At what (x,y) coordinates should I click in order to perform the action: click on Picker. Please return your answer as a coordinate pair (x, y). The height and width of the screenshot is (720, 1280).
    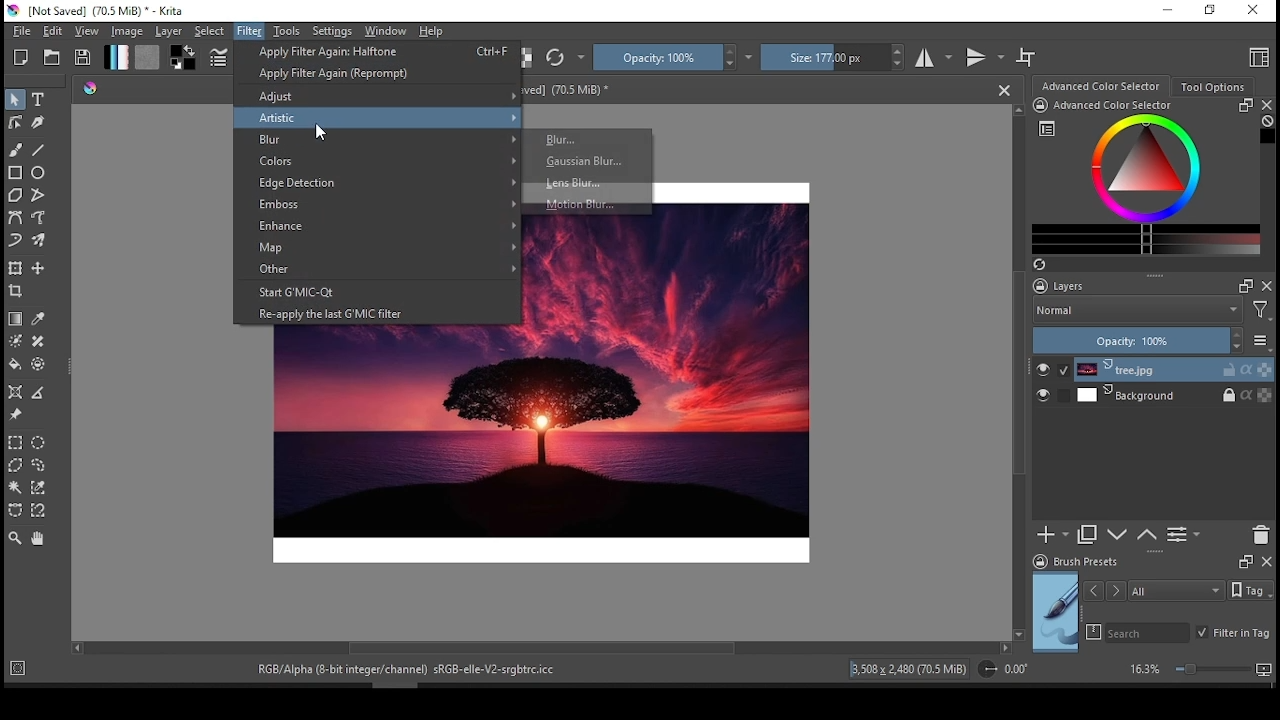
    Looking at the image, I should click on (90, 89).